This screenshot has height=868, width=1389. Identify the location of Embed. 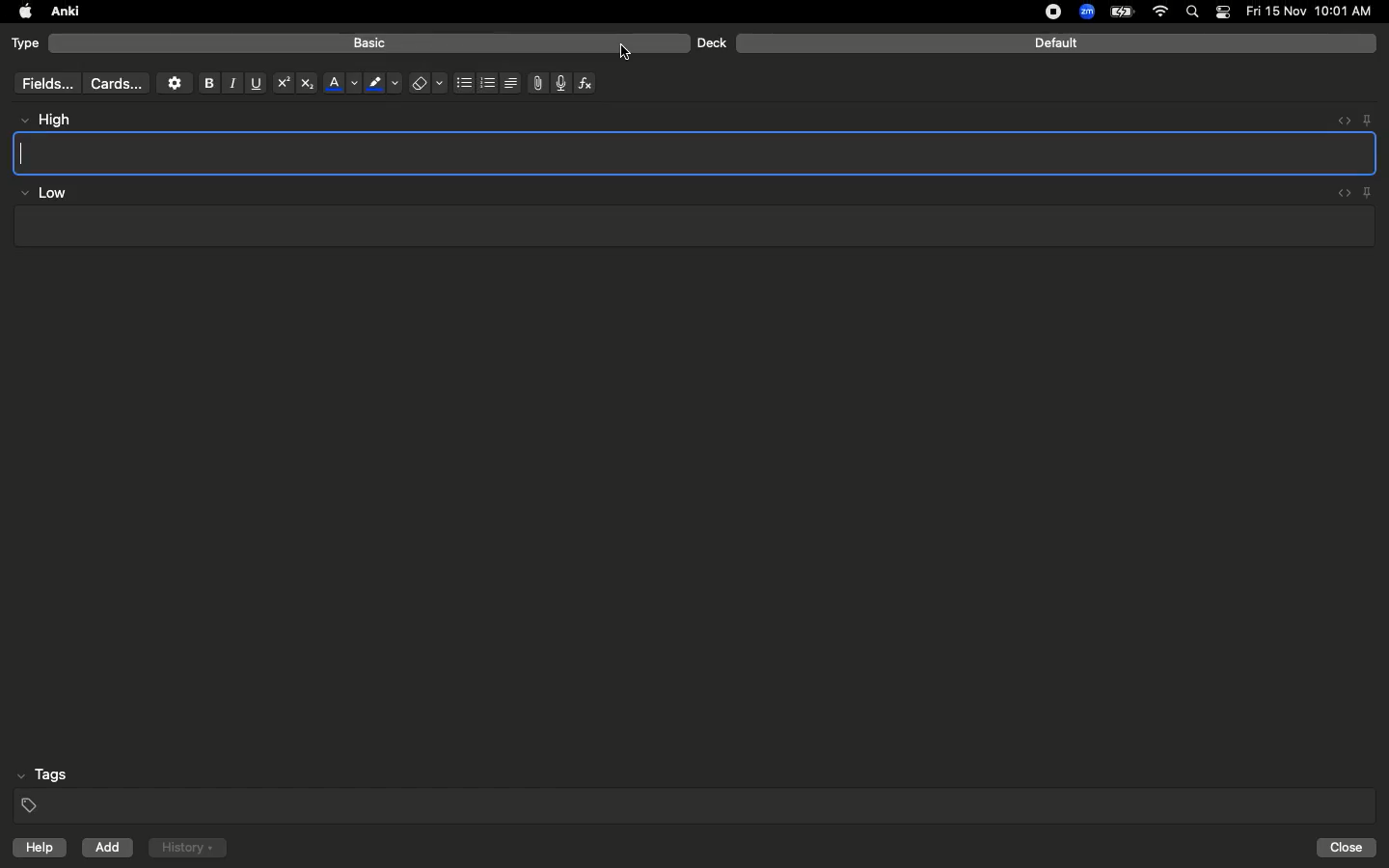
(1338, 121).